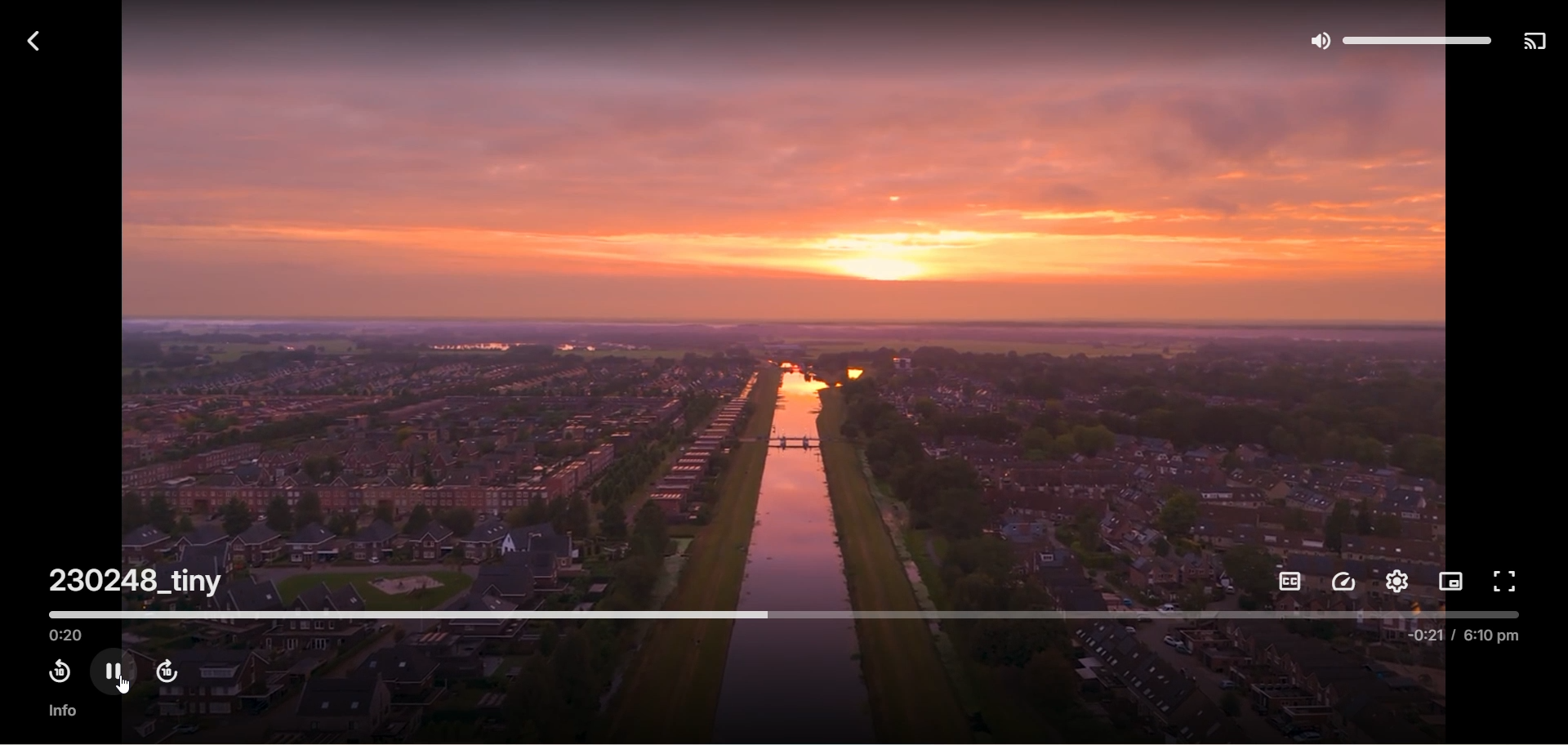 This screenshot has height=745, width=1568. I want to click on volume, so click(1396, 38).